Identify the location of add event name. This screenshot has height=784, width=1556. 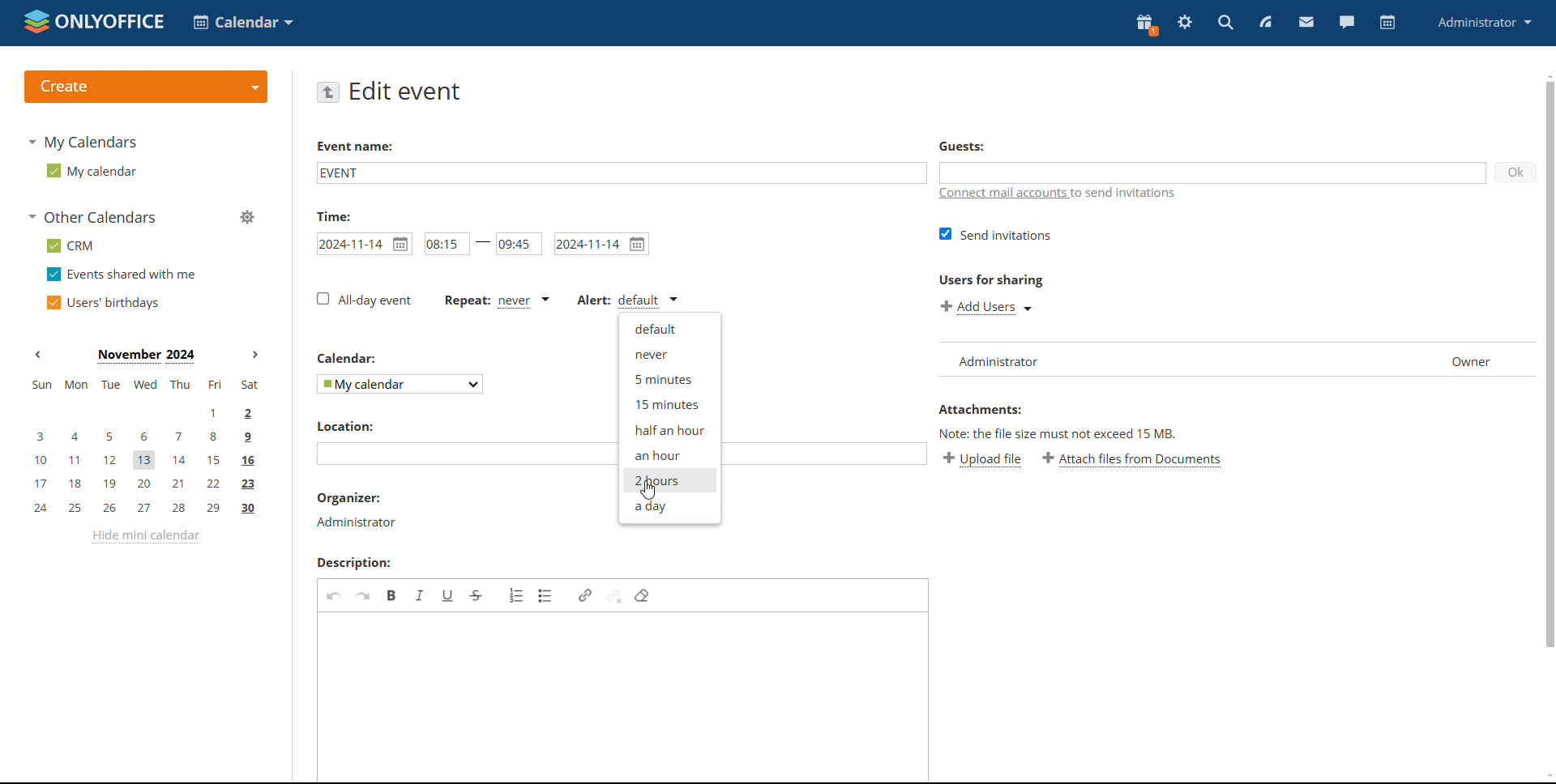
(622, 173).